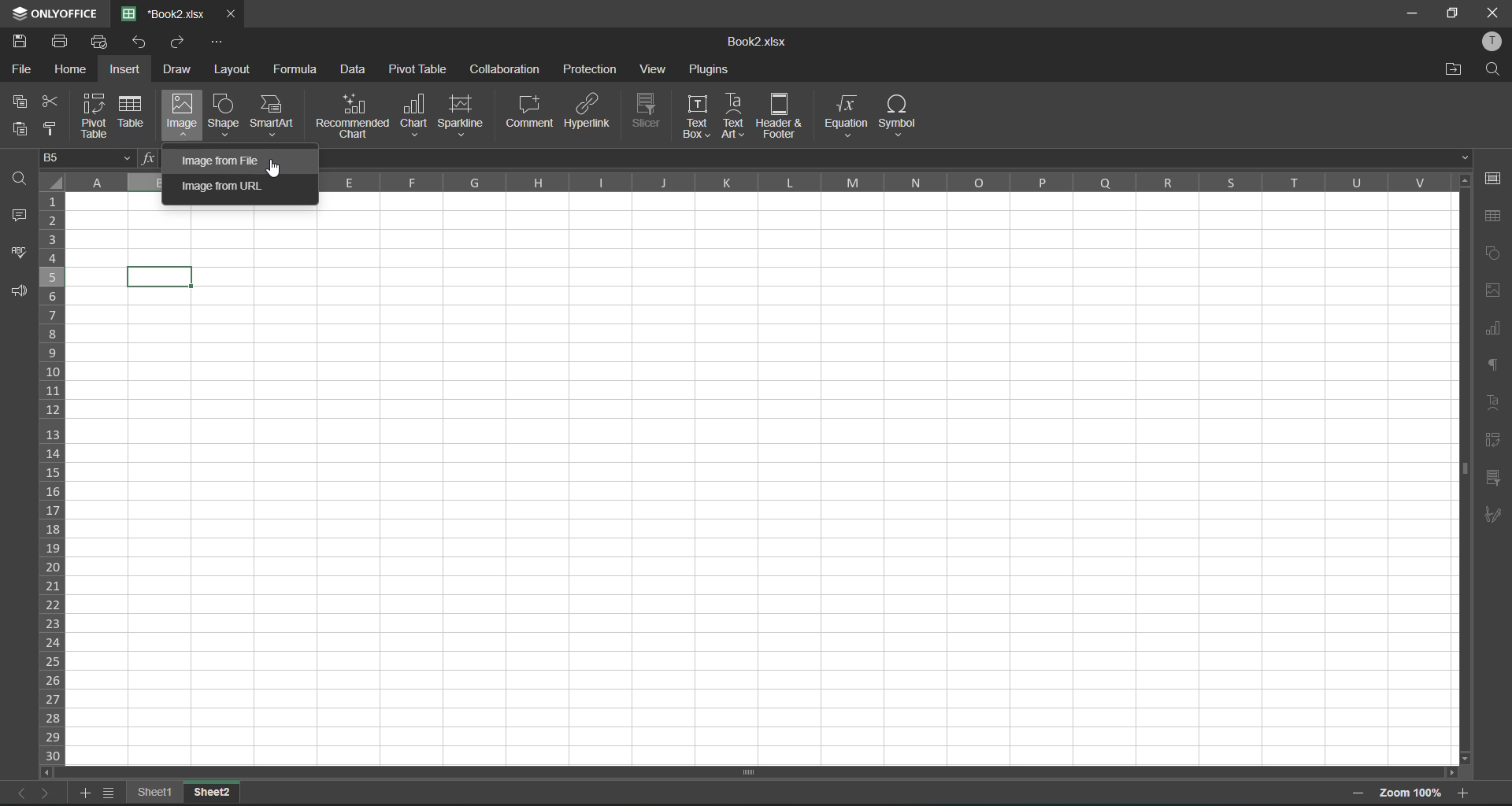 The height and width of the screenshot is (806, 1512). I want to click on pivot table, so click(421, 68).